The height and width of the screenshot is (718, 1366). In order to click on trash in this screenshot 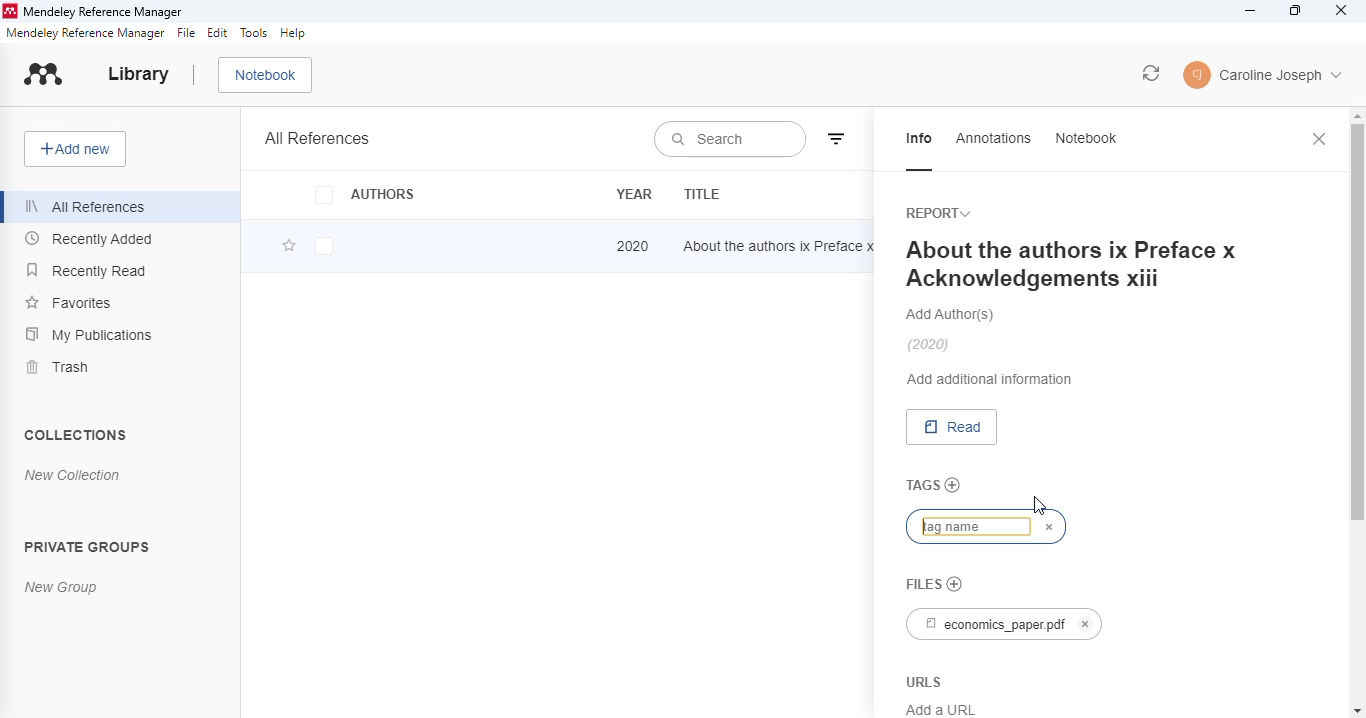, I will do `click(60, 367)`.